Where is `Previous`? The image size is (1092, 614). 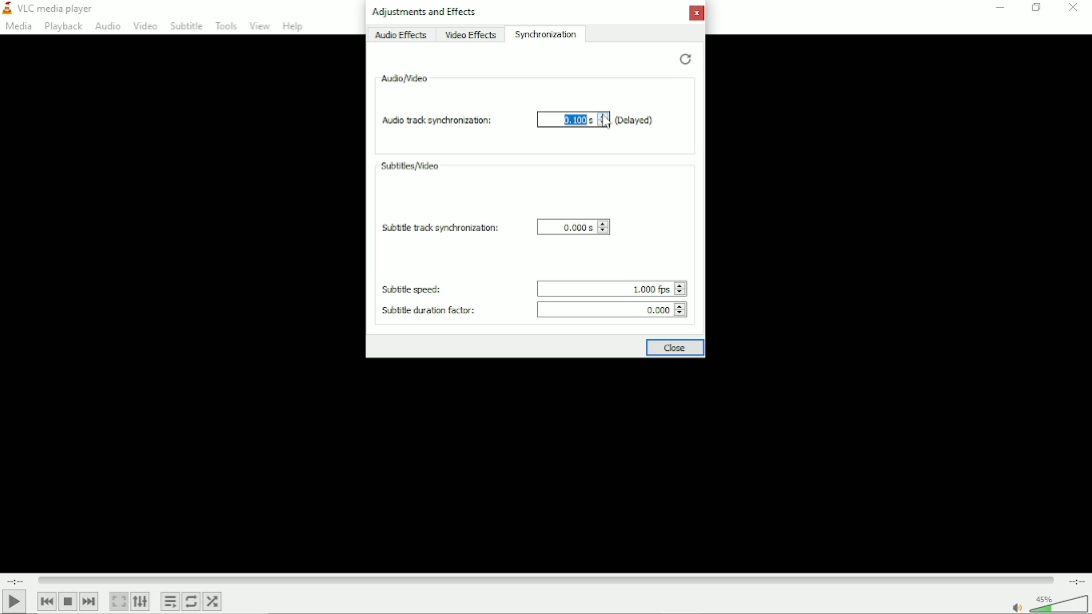
Previous is located at coordinates (48, 600).